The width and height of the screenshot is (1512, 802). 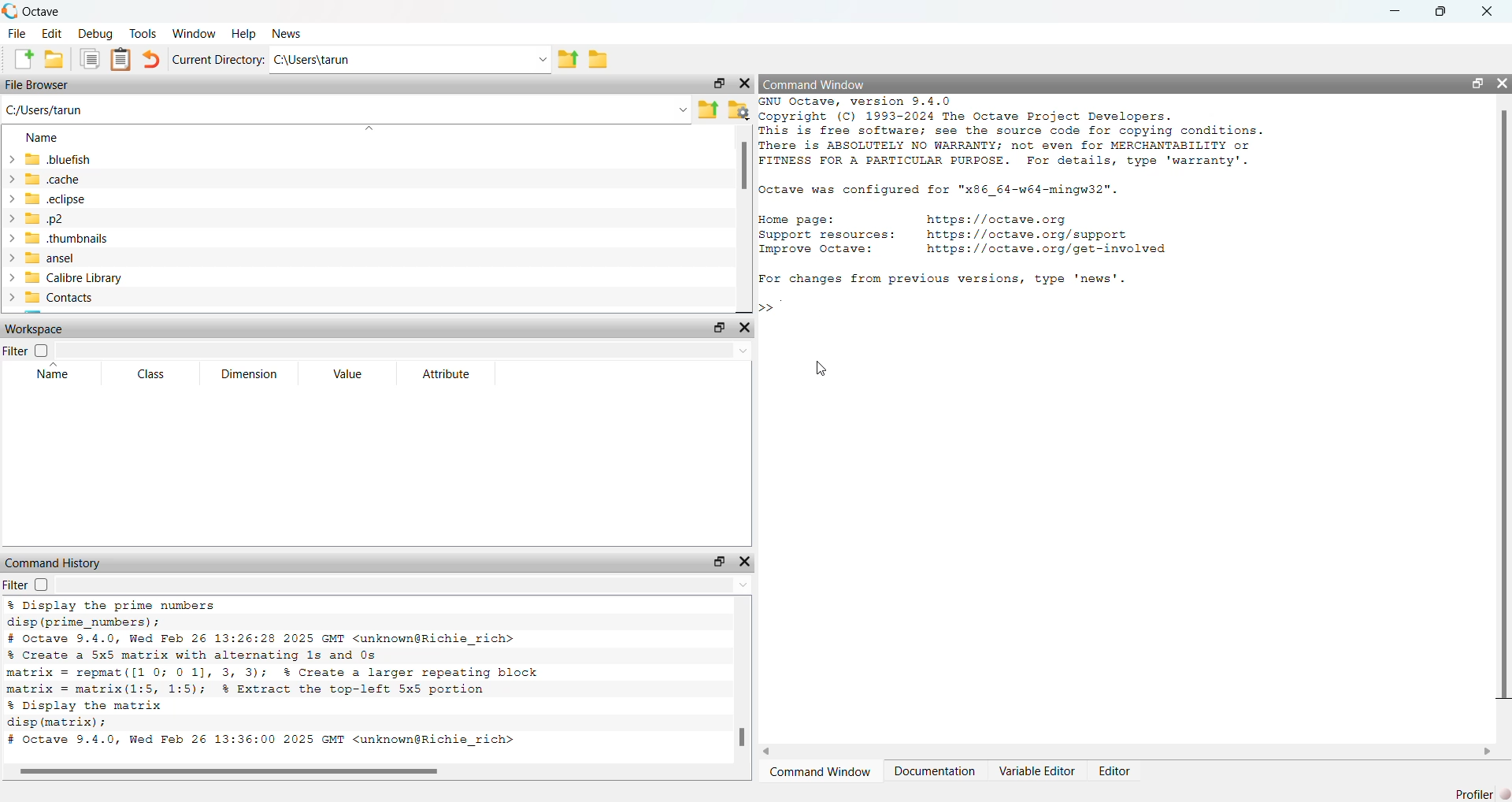 What do you see at coordinates (72, 258) in the screenshot?
I see `ansel` at bounding box center [72, 258].